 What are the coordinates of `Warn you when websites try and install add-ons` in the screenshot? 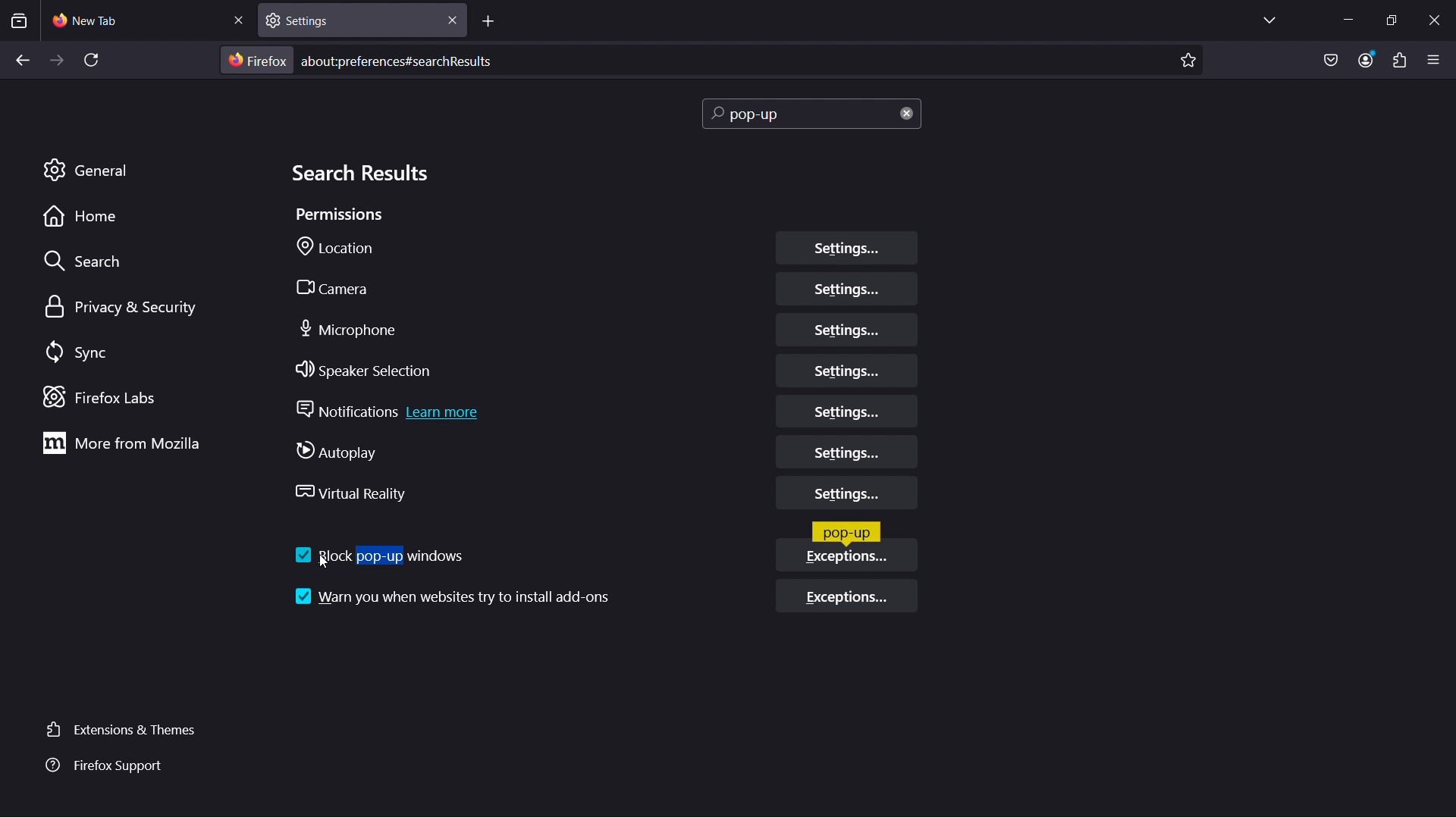 It's located at (449, 596).